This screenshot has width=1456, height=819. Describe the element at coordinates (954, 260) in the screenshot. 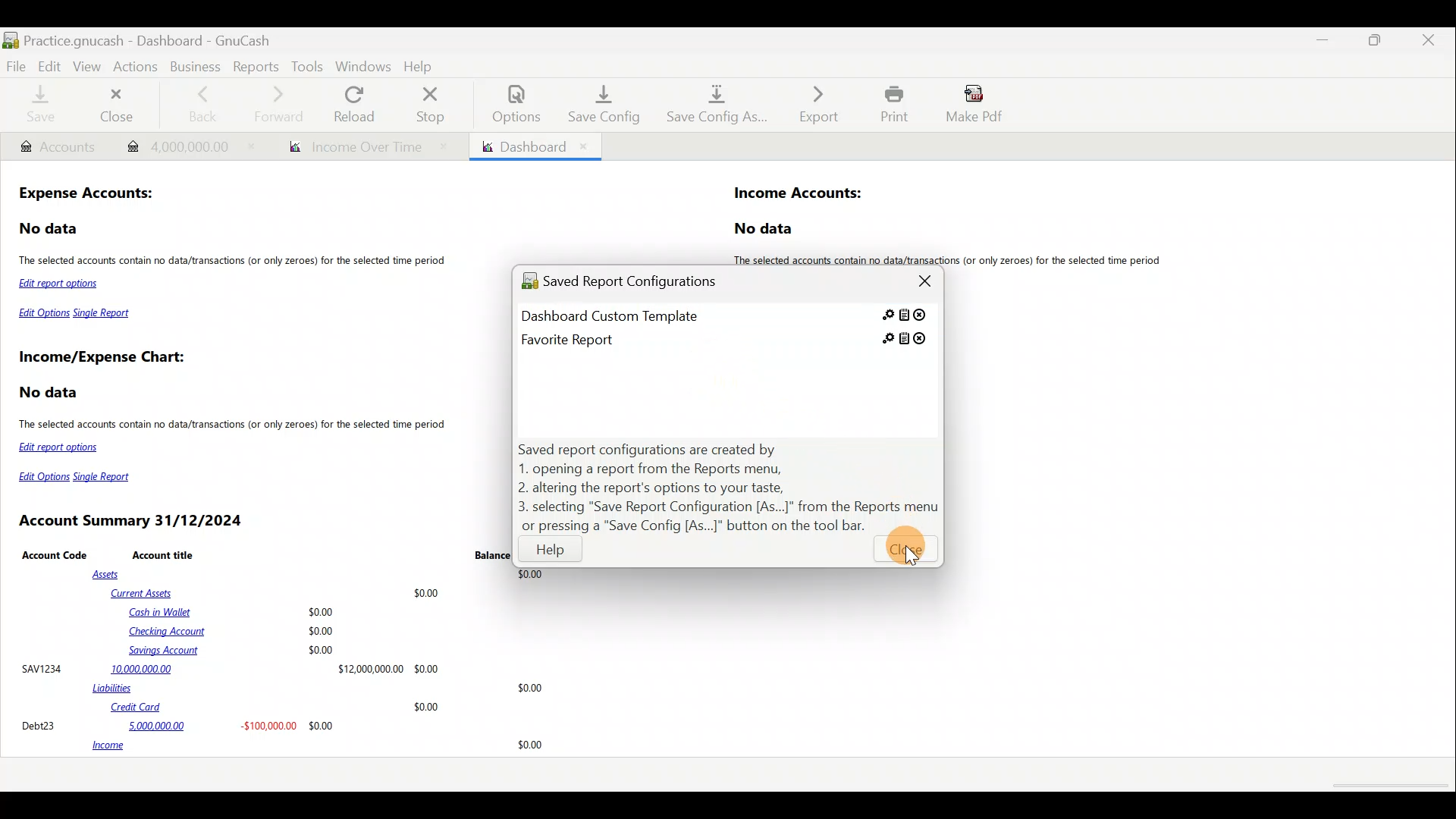

I see `The selected accounts contain no data/transactions (or only zeroes) for the selected time period` at that location.